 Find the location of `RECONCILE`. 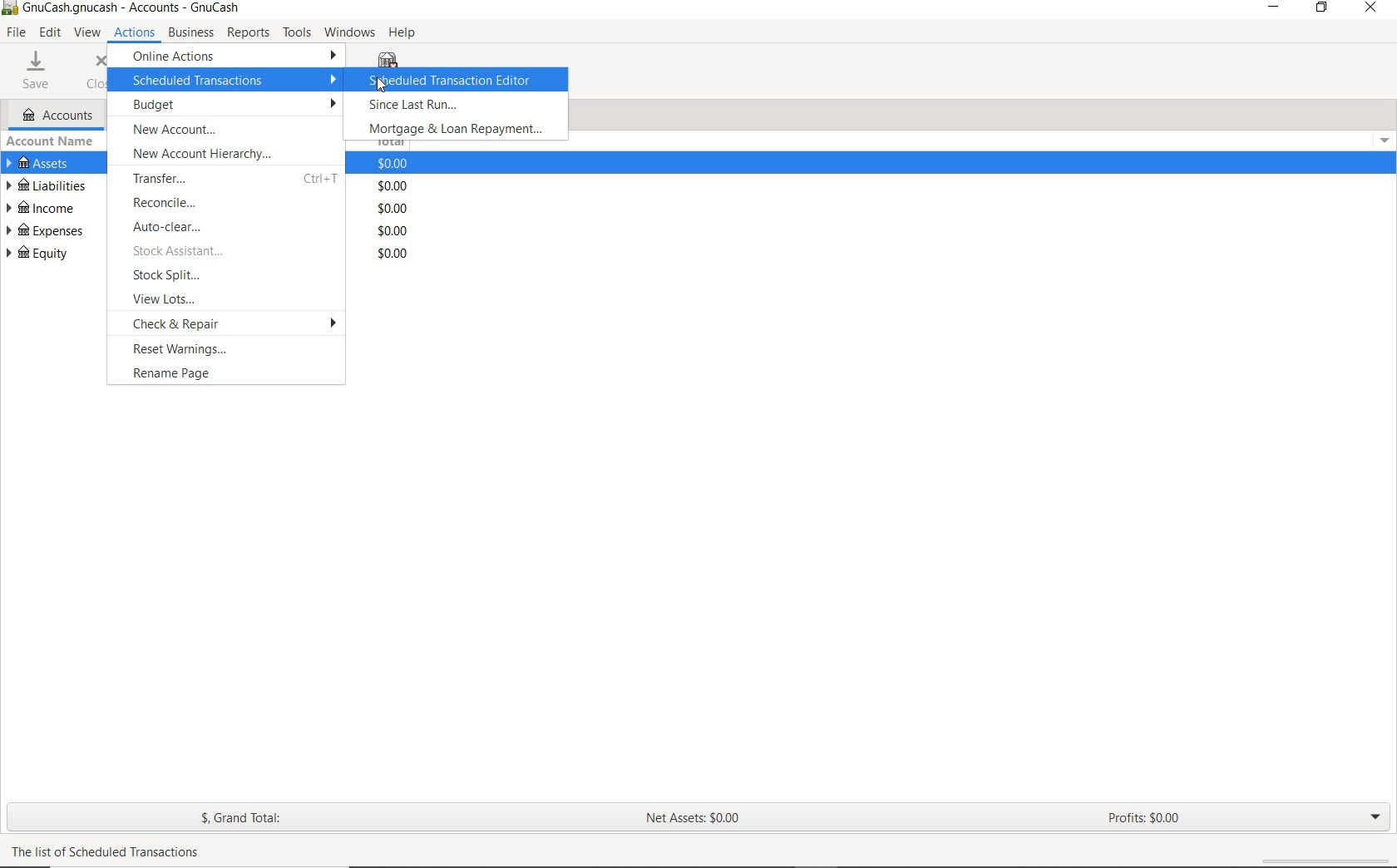

RECONCILE is located at coordinates (230, 203).